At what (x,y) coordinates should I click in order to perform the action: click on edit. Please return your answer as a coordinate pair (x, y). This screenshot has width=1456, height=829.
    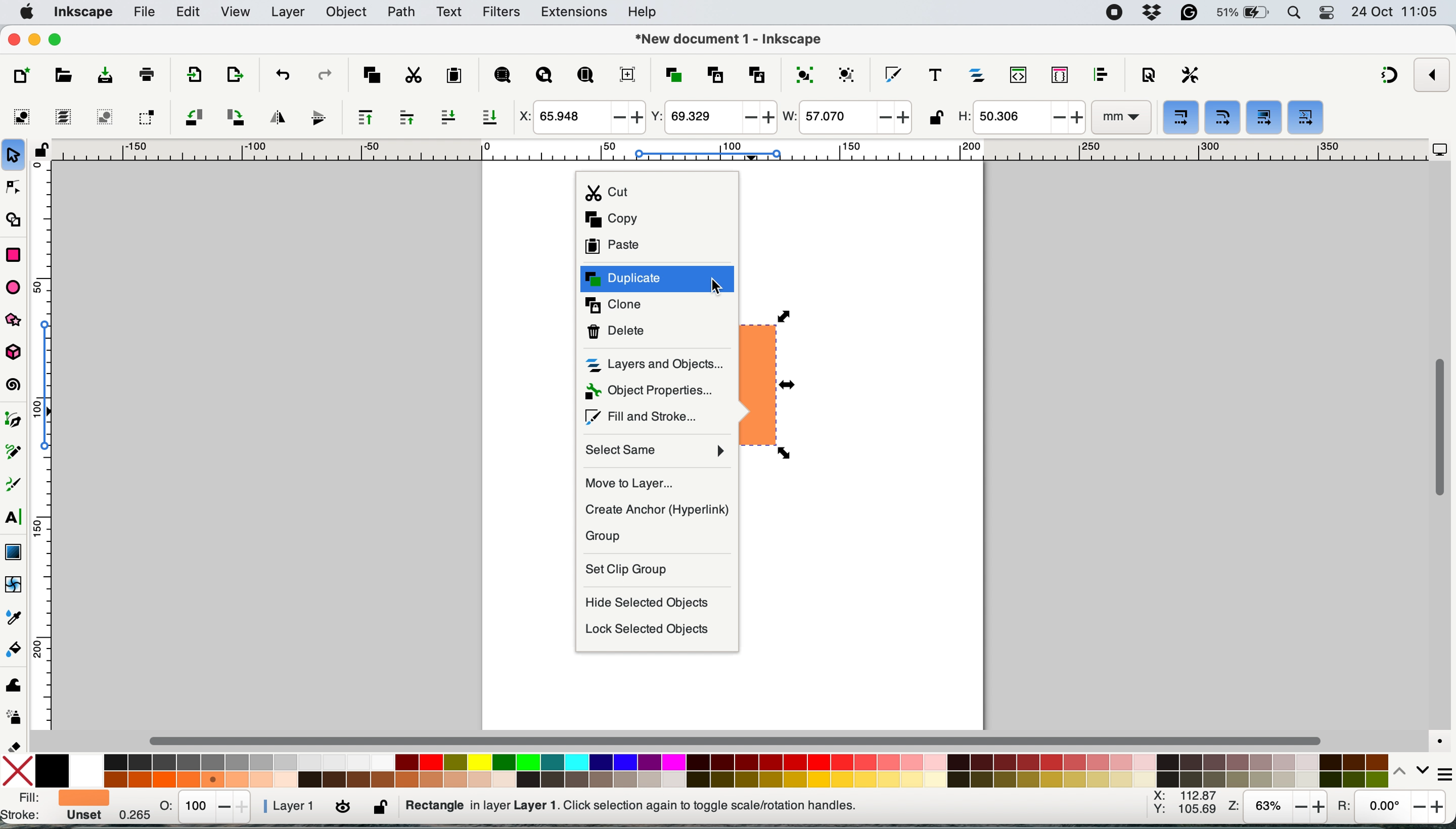
    Looking at the image, I should click on (190, 13).